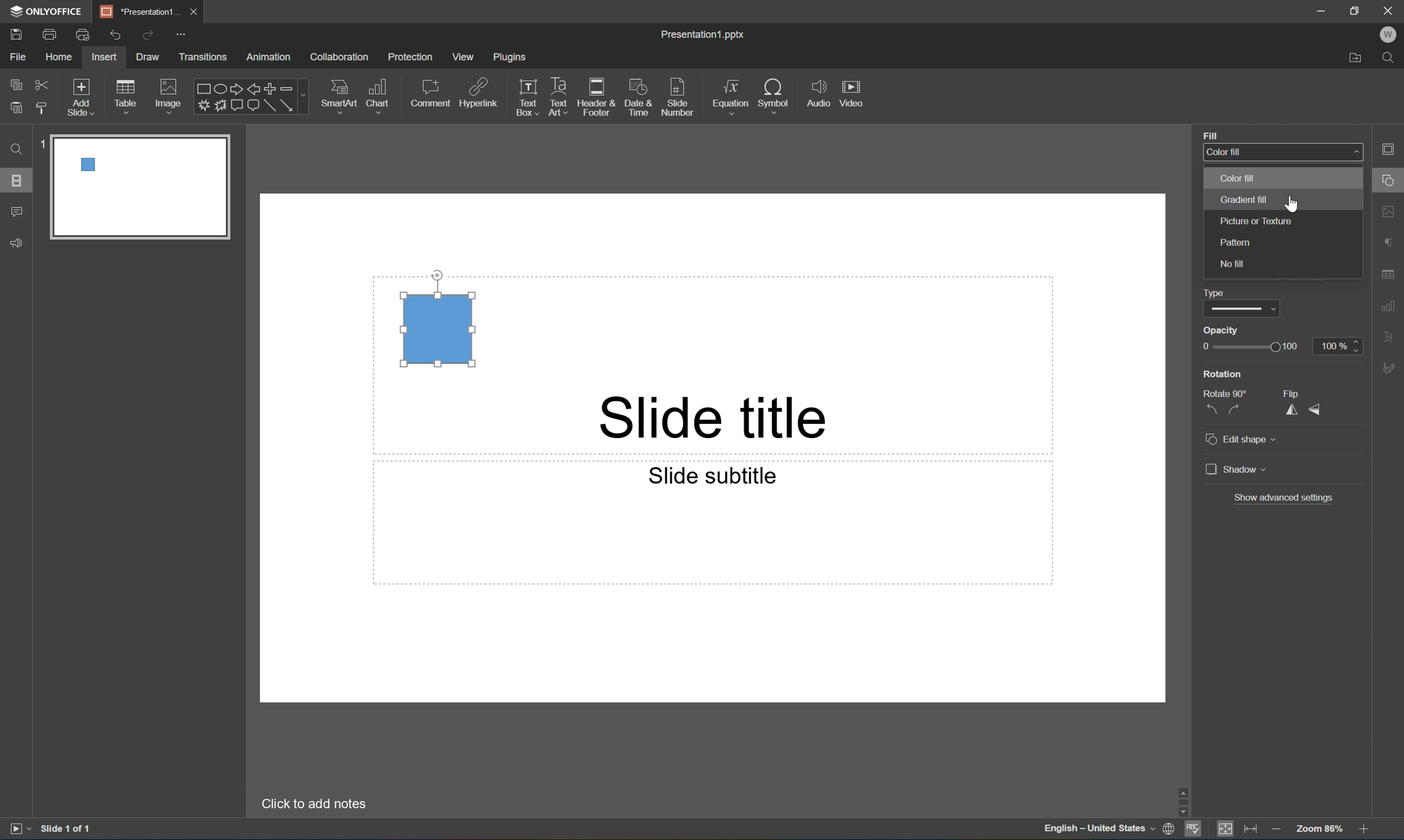 This screenshot has height=840, width=1404. I want to click on Picture or texture, so click(1256, 222).